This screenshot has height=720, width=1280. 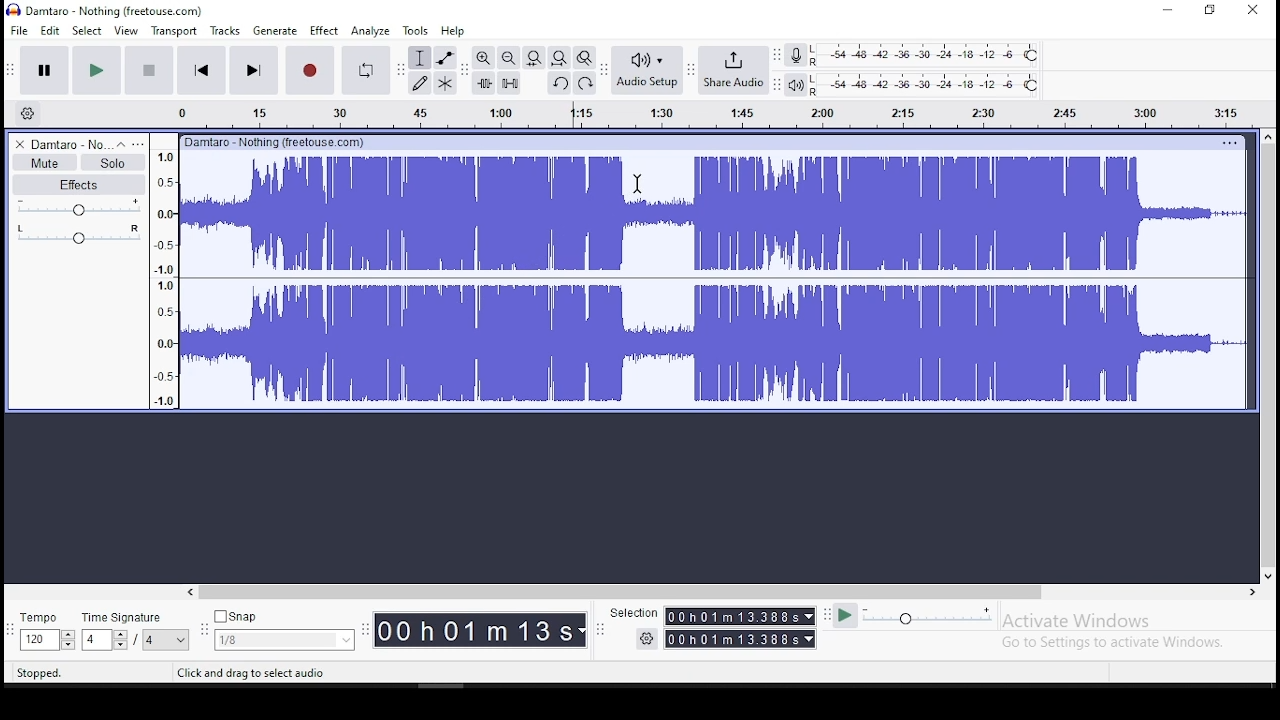 What do you see at coordinates (444, 83) in the screenshot?
I see `multi tool` at bounding box center [444, 83].